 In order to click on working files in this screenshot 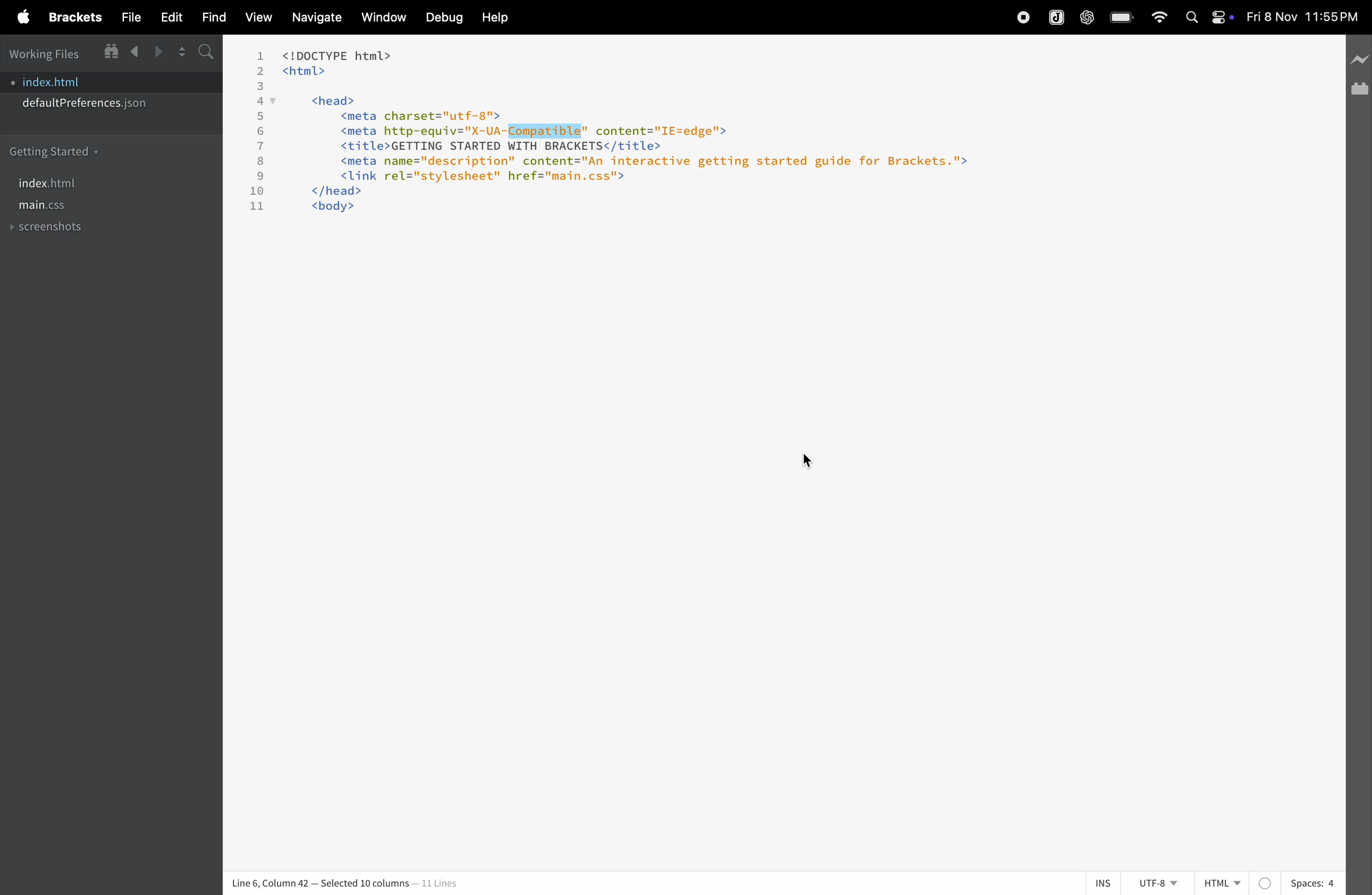, I will do `click(48, 54)`.